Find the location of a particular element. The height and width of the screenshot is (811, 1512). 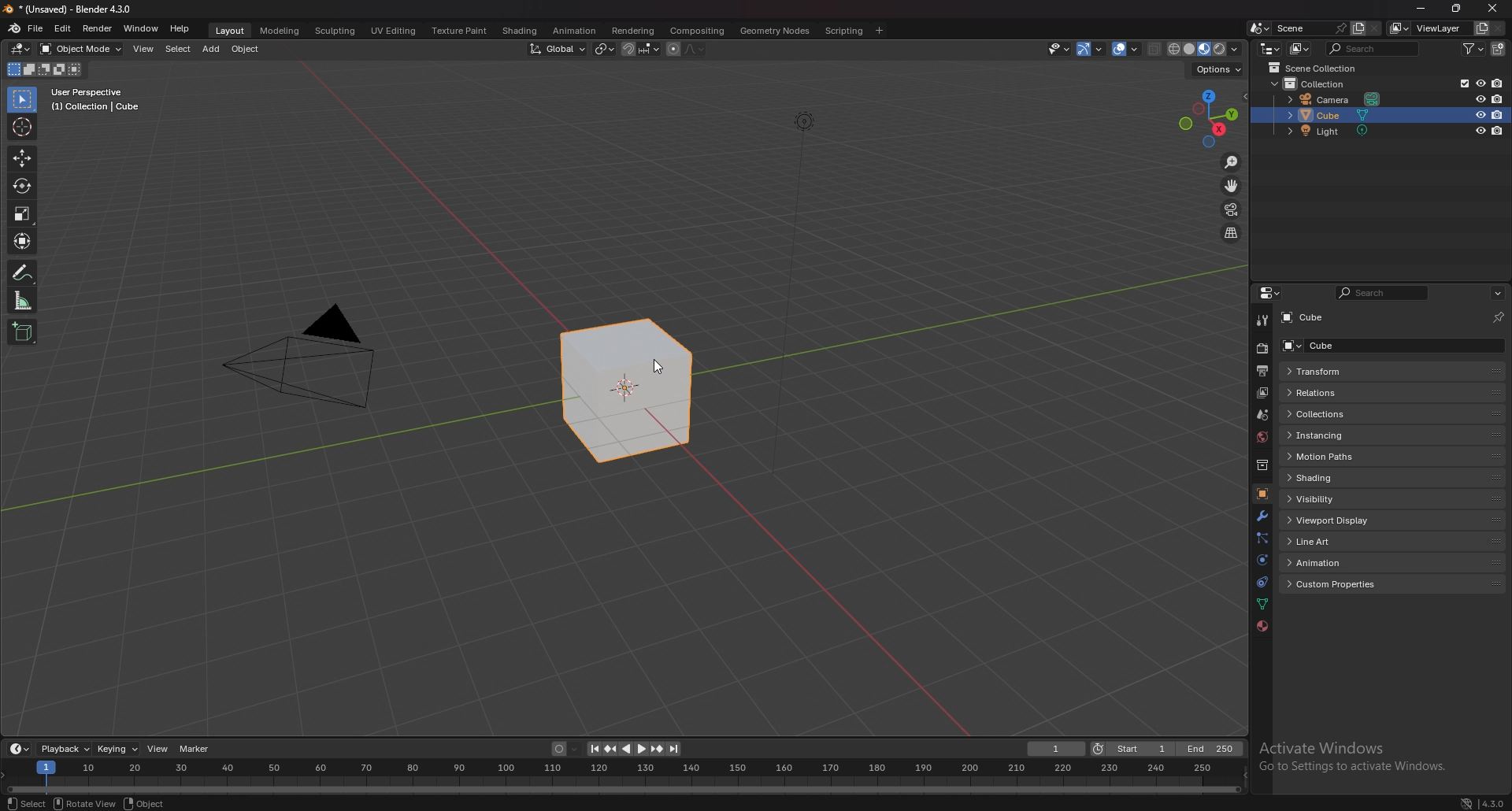

file is located at coordinates (37, 28).